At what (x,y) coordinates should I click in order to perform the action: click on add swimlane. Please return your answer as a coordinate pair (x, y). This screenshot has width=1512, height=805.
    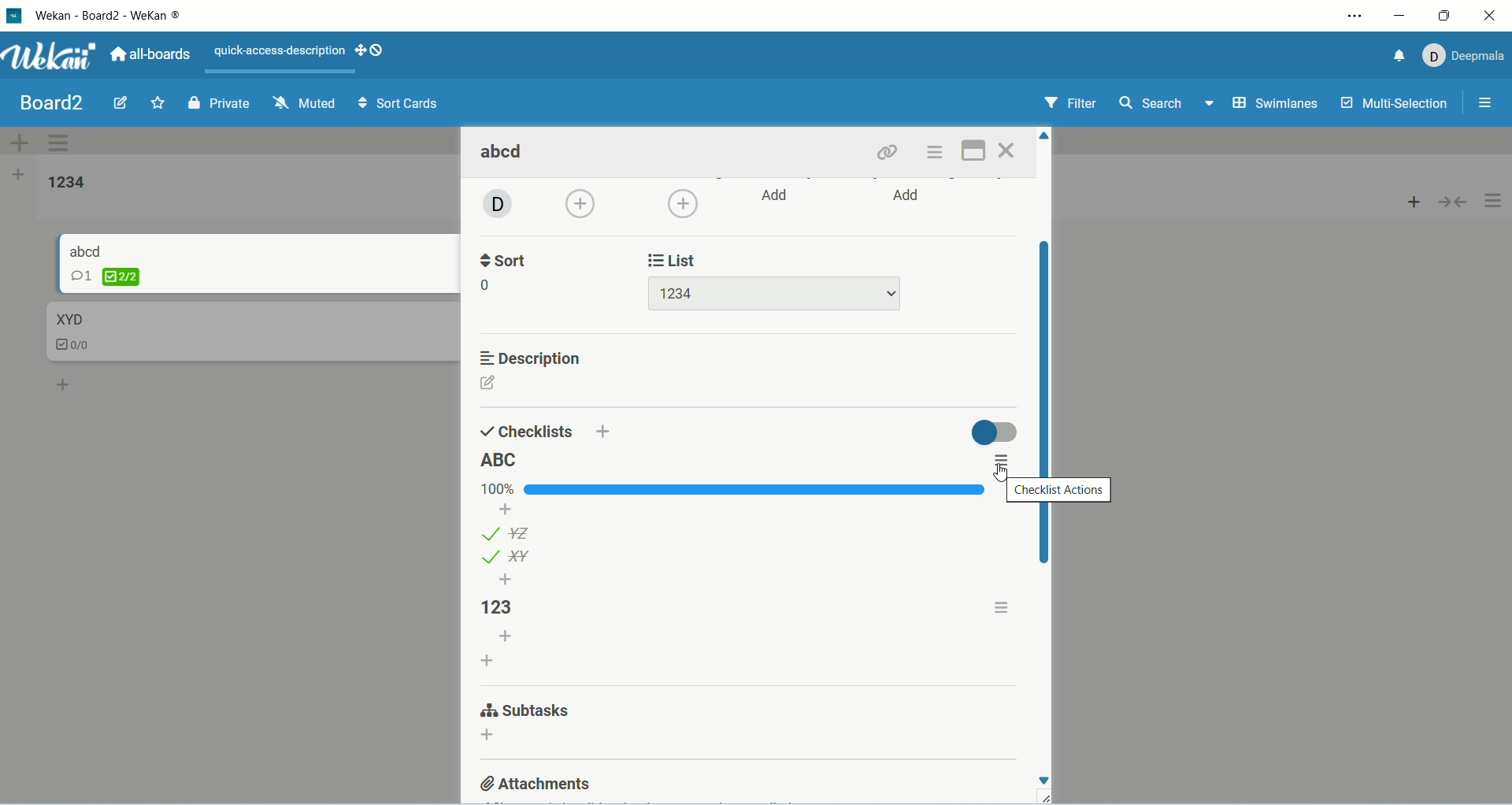
    Looking at the image, I should click on (16, 139).